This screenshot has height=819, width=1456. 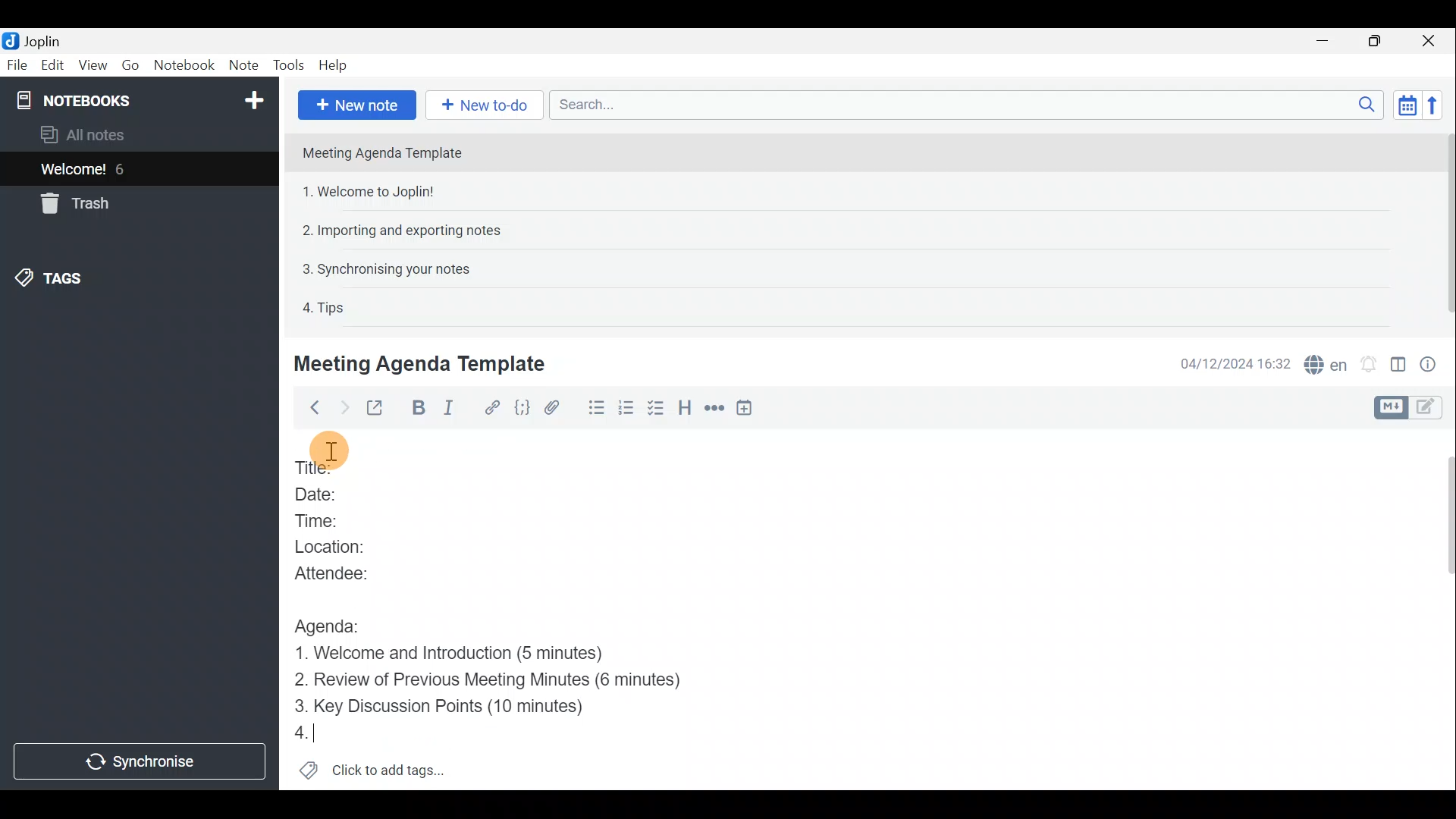 I want to click on Code, so click(x=524, y=409).